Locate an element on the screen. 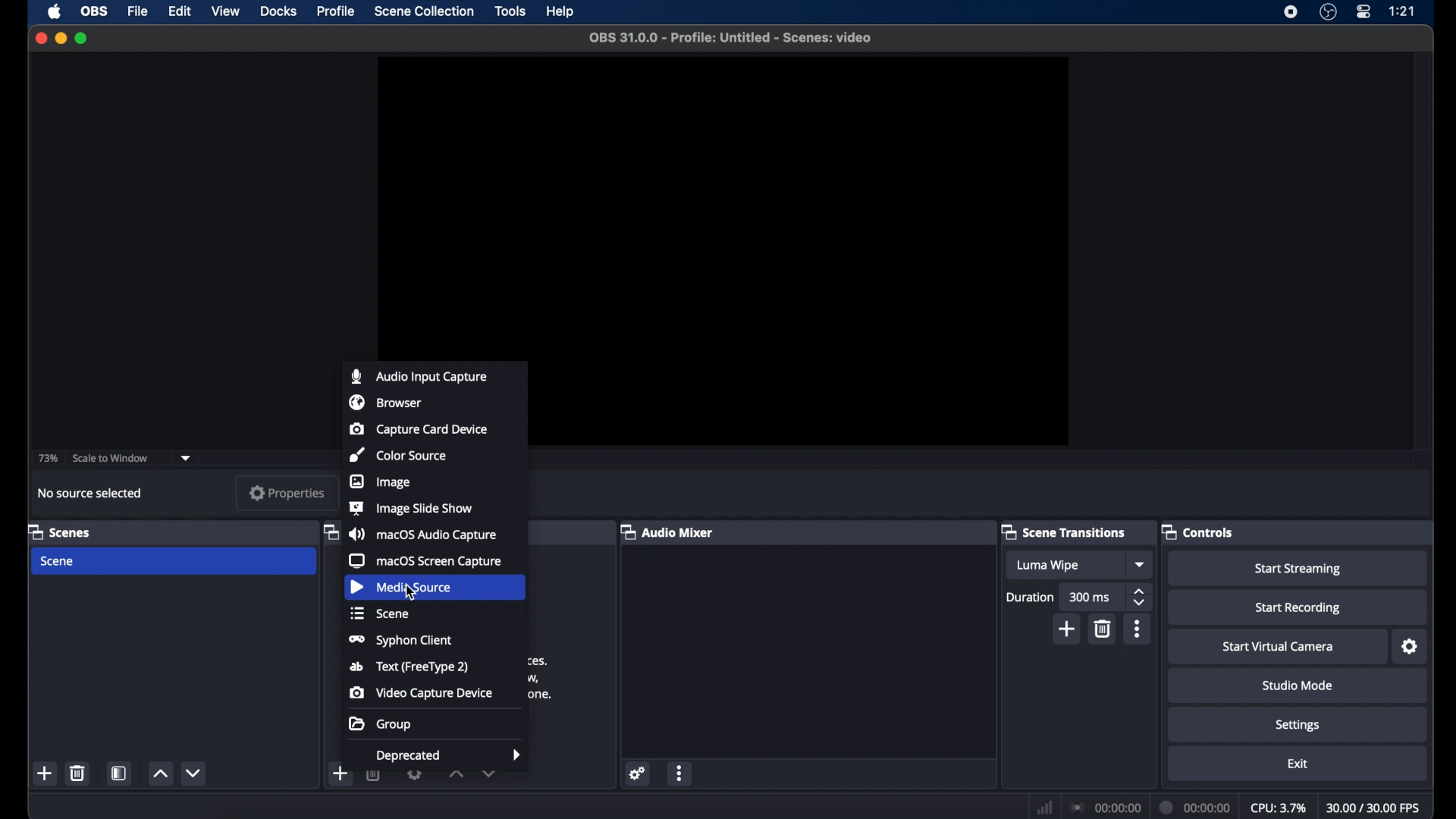  close is located at coordinates (40, 38).